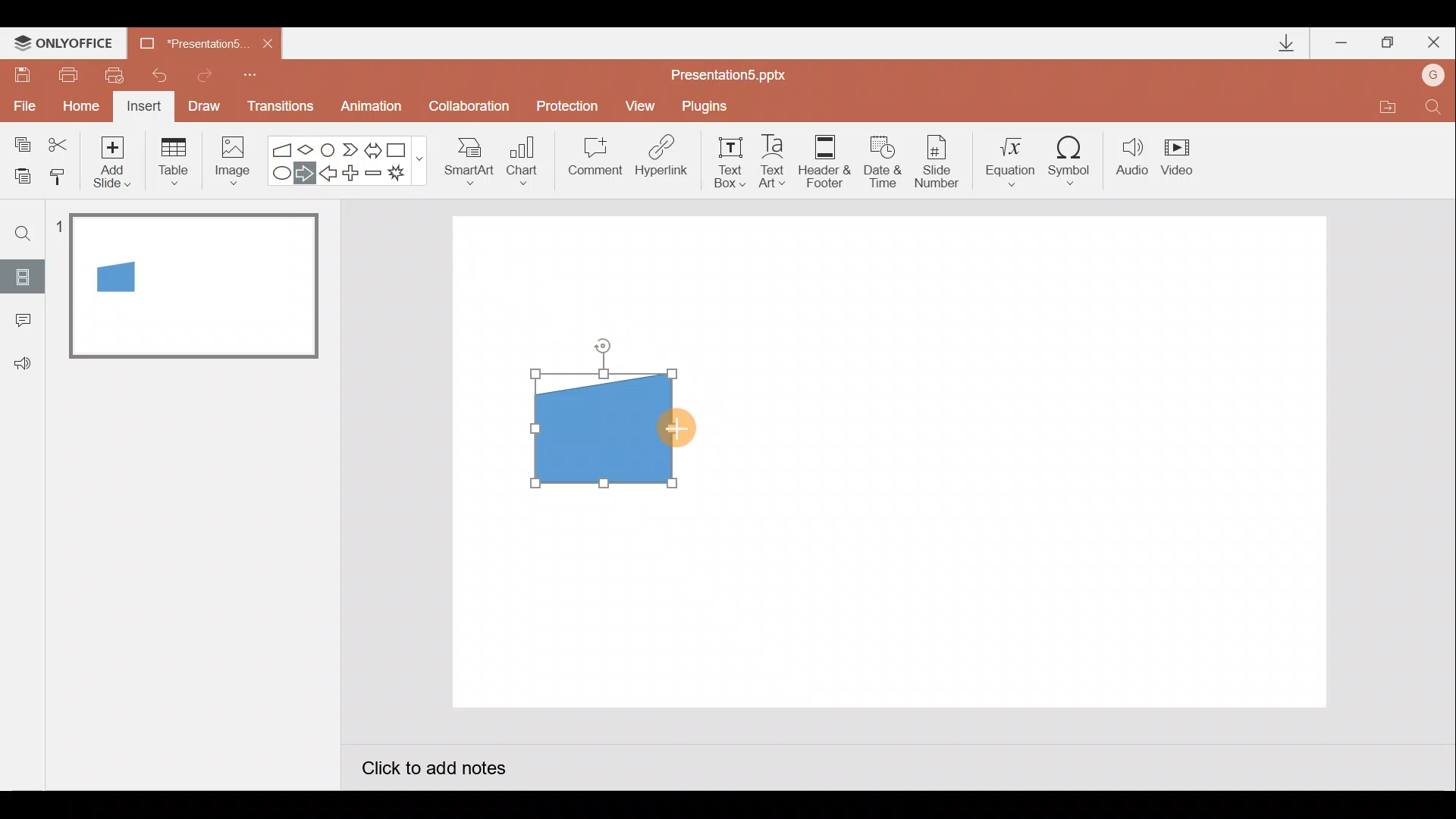 Image resolution: width=1456 pixels, height=819 pixels. Describe the element at coordinates (708, 106) in the screenshot. I see `Plugins` at that location.